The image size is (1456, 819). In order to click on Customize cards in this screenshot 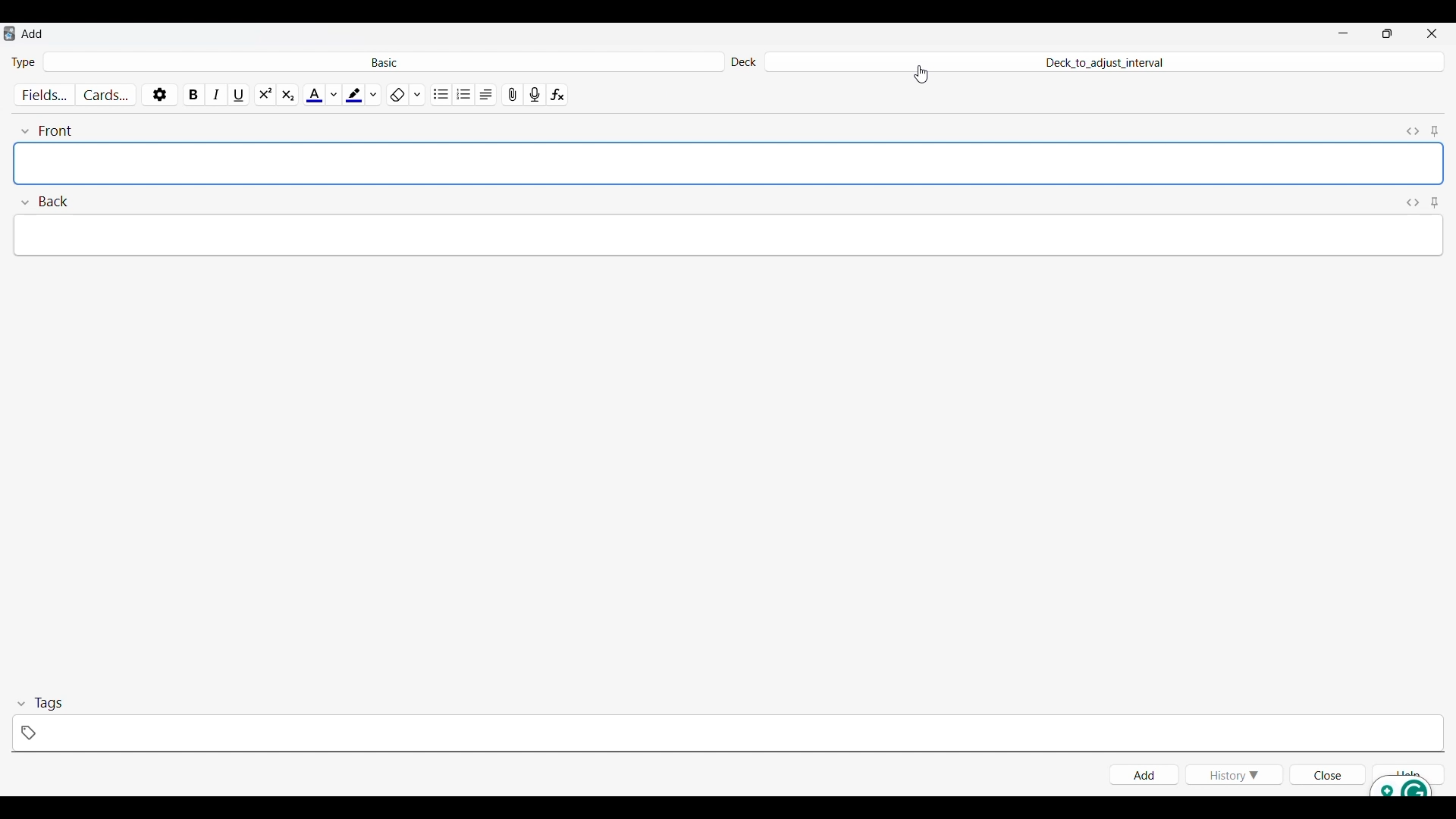, I will do `click(106, 95)`.